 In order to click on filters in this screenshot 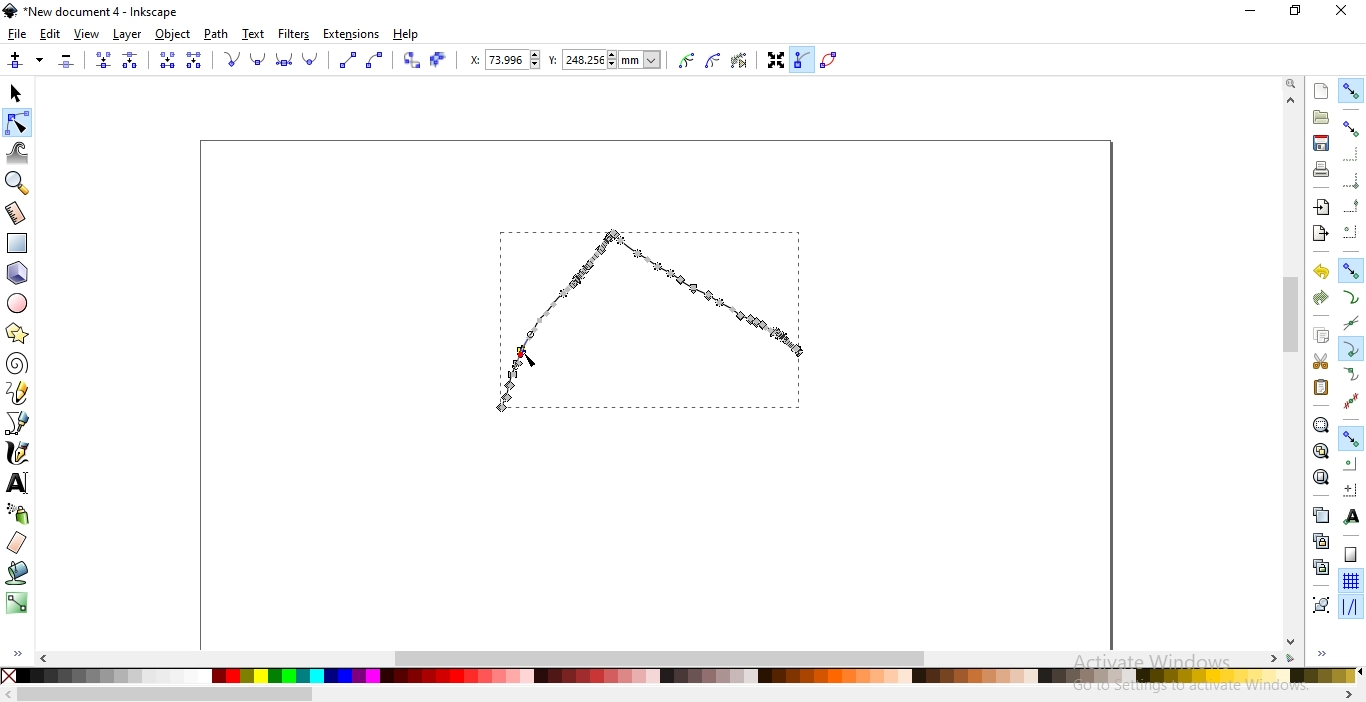, I will do `click(295, 34)`.